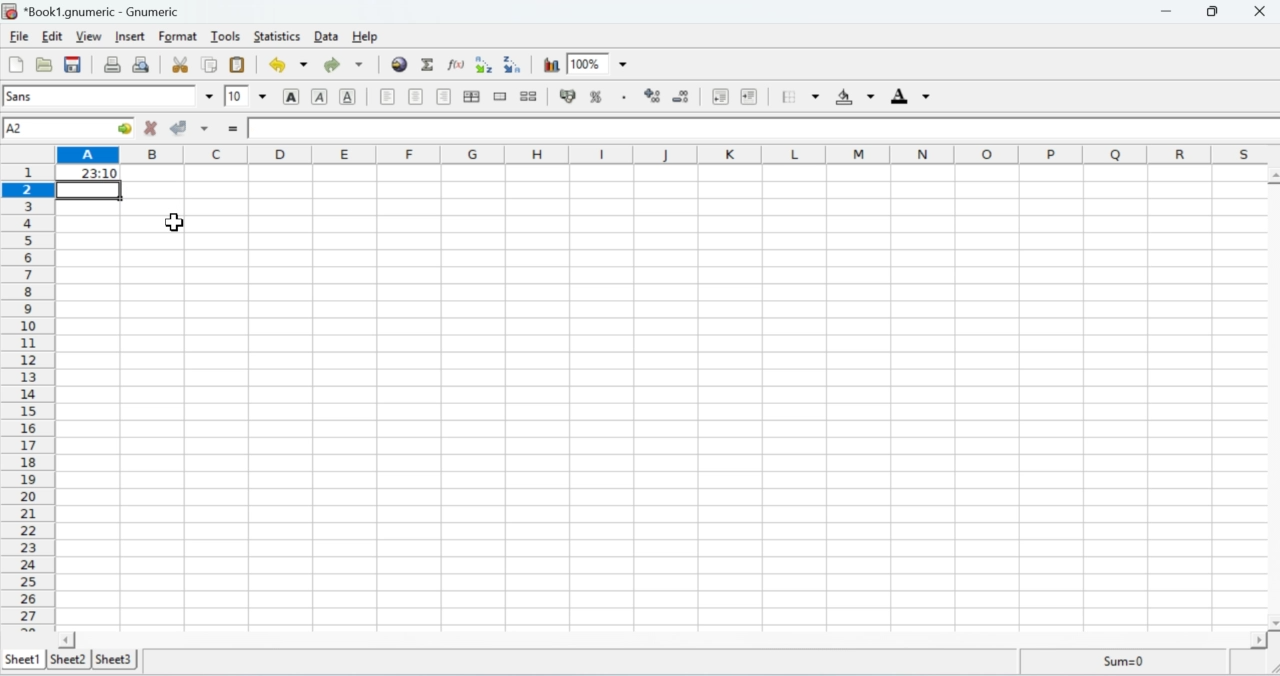 The width and height of the screenshot is (1280, 676). Describe the element at coordinates (720, 96) in the screenshot. I see `Decrease the indent, and align the contents to the left` at that location.